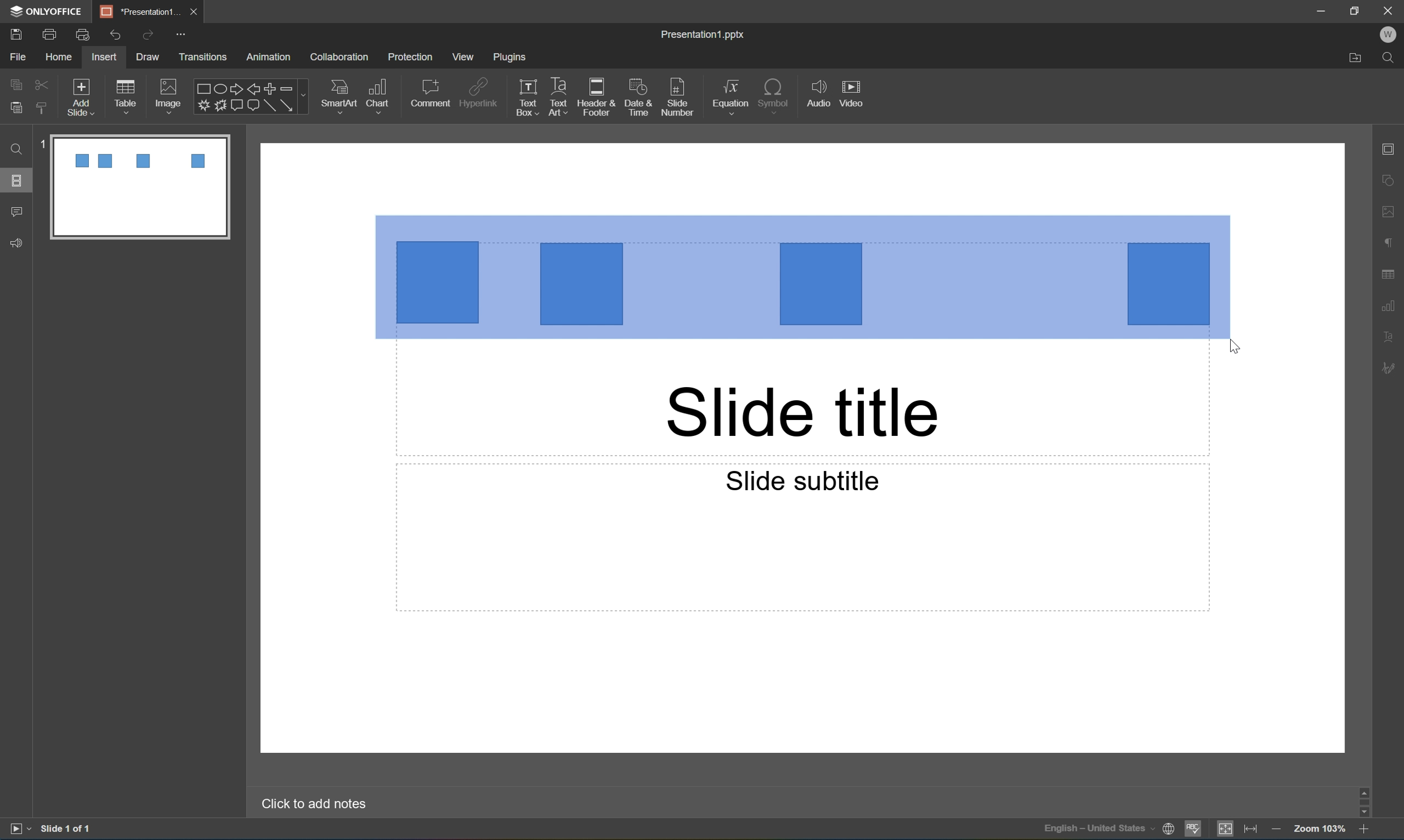 The image size is (1404, 840). What do you see at coordinates (48, 10) in the screenshot?
I see `ONLYOFFICE` at bounding box center [48, 10].